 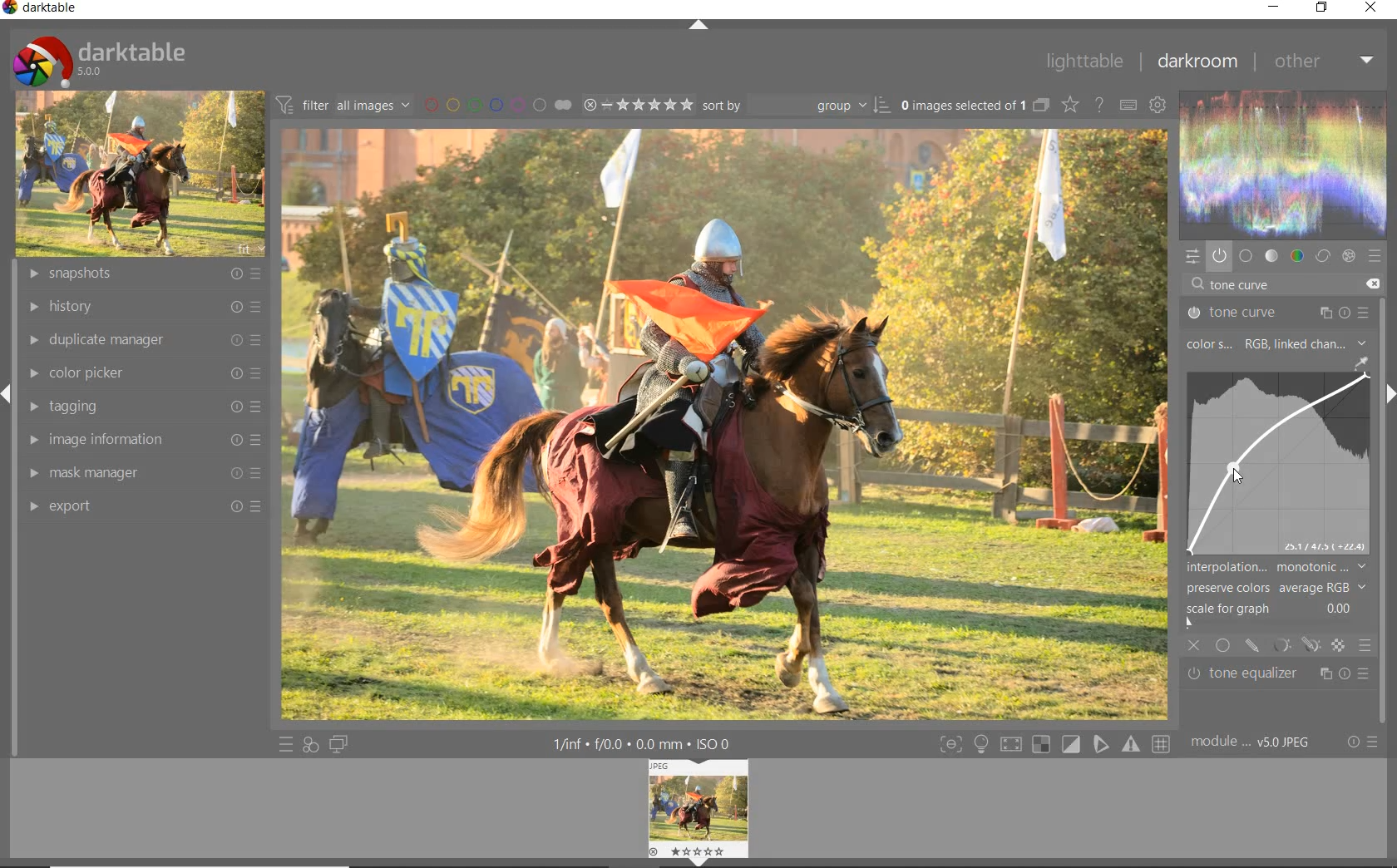 I want to click on change type of overlays, so click(x=1072, y=106).